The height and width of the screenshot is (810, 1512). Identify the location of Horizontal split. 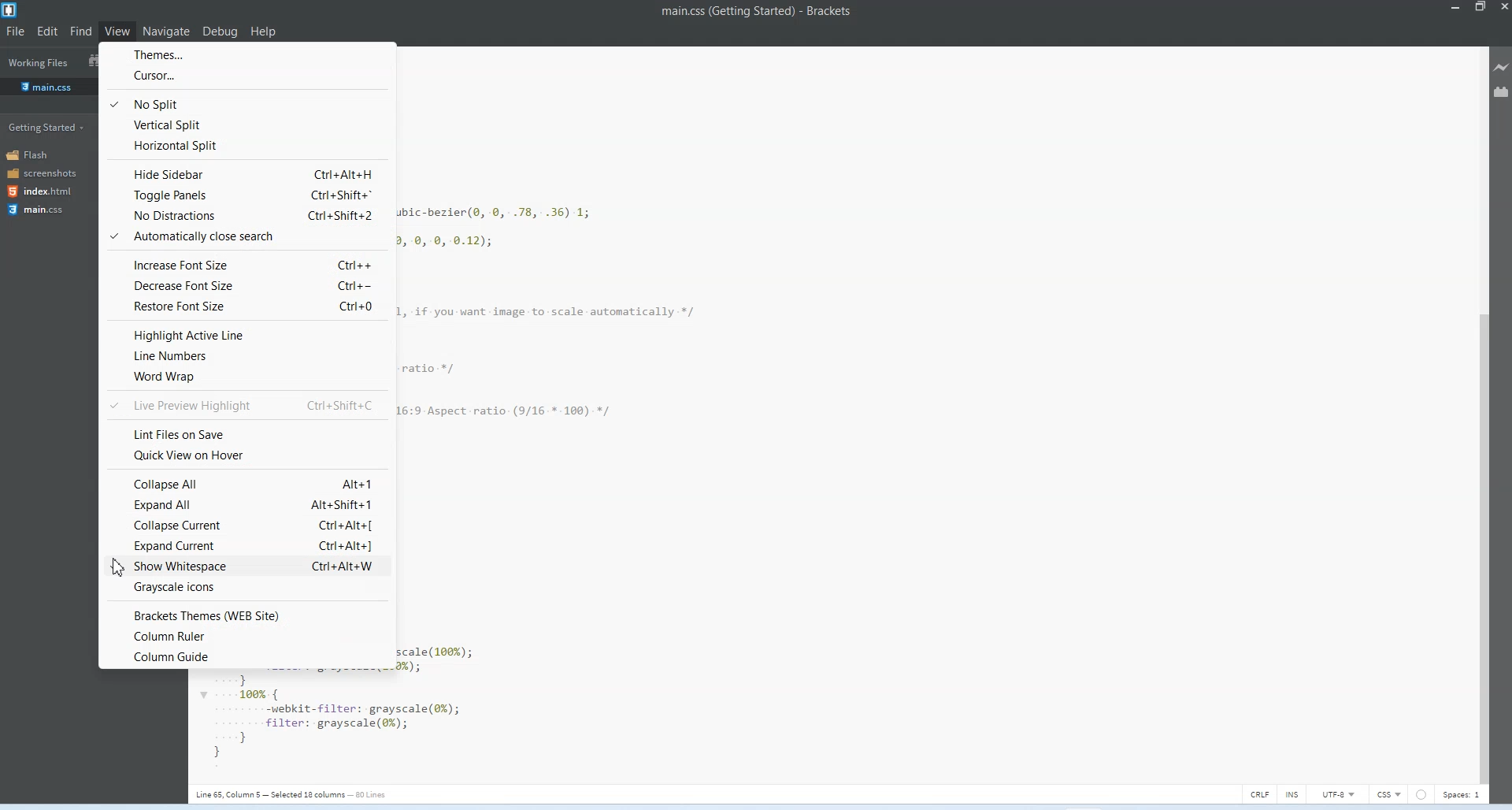
(246, 147).